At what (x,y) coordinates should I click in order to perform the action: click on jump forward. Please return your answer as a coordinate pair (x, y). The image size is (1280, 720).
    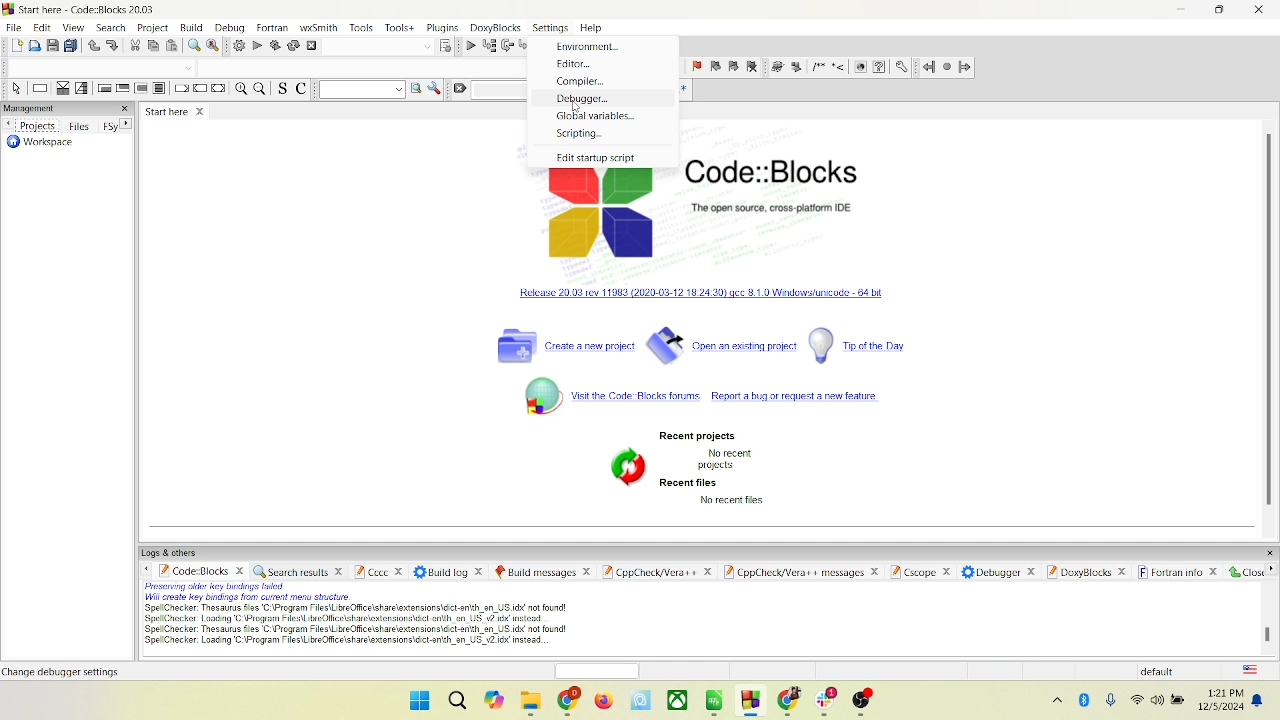
    Looking at the image, I should click on (967, 67).